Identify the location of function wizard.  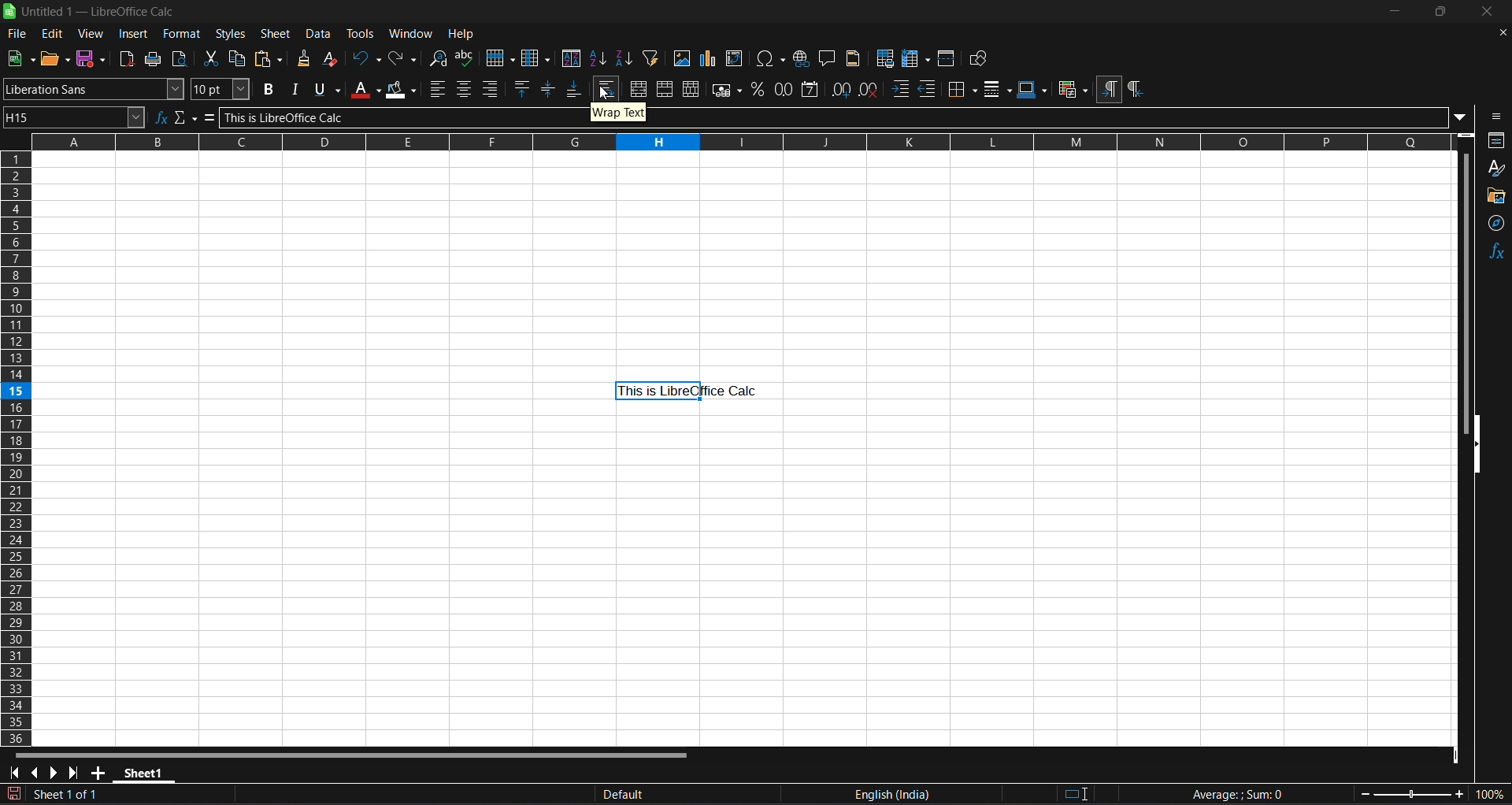
(162, 117).